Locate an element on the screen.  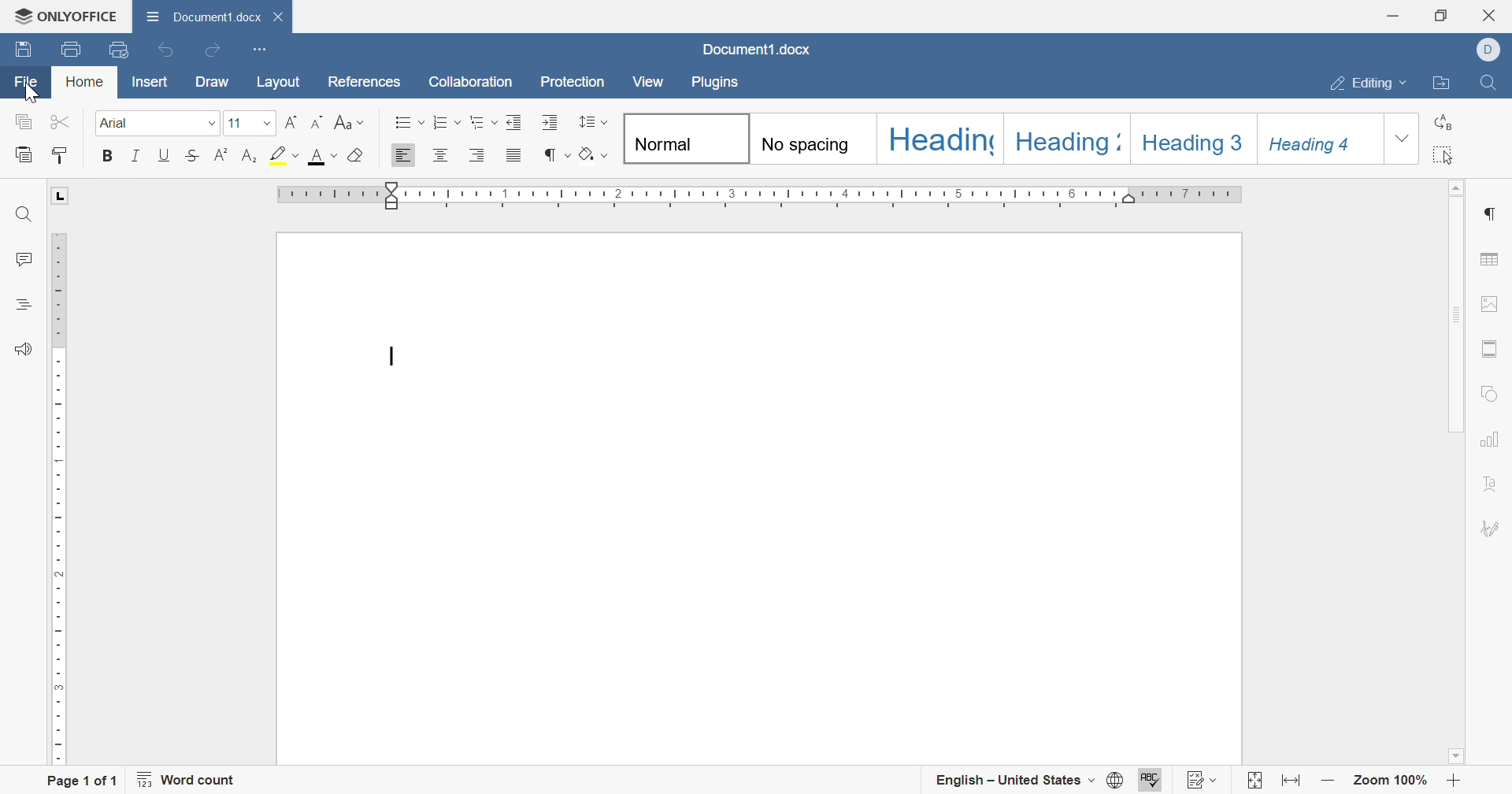
shading is located at coordinates (594, 154).